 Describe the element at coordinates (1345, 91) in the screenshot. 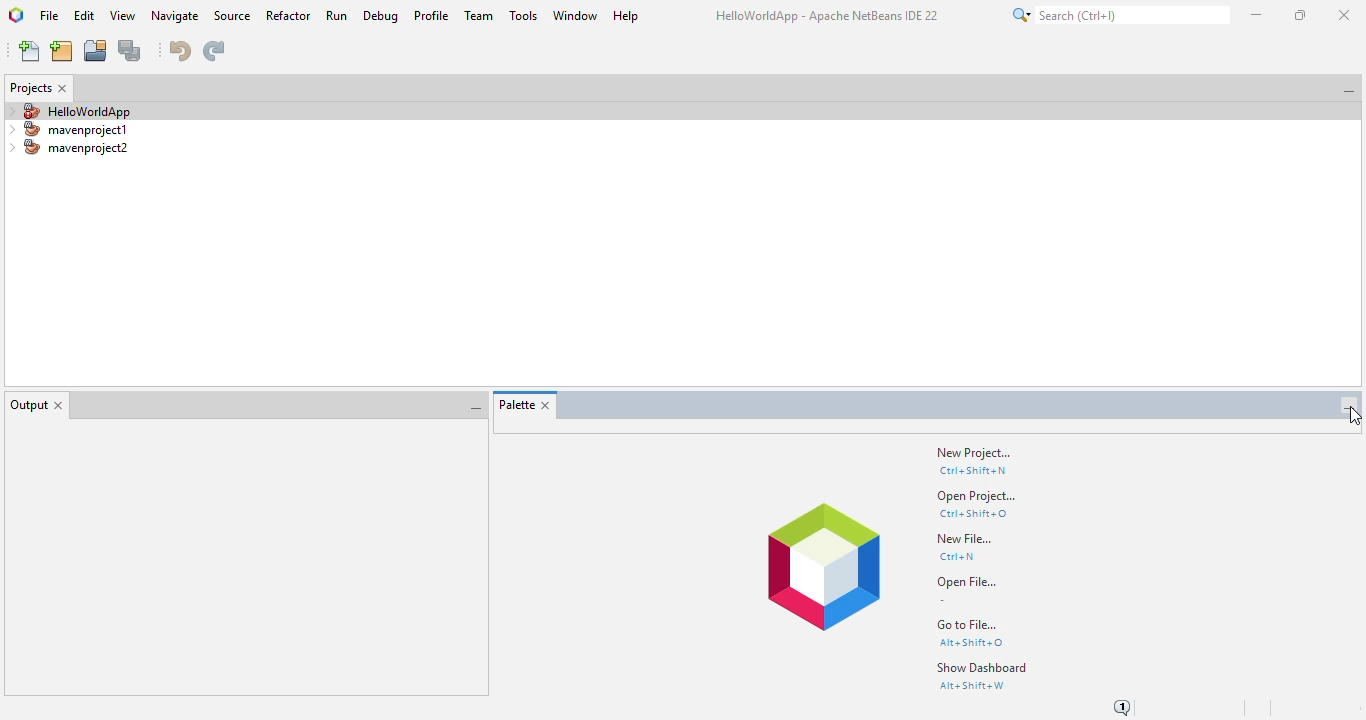

I see `minimize window group` at that location.